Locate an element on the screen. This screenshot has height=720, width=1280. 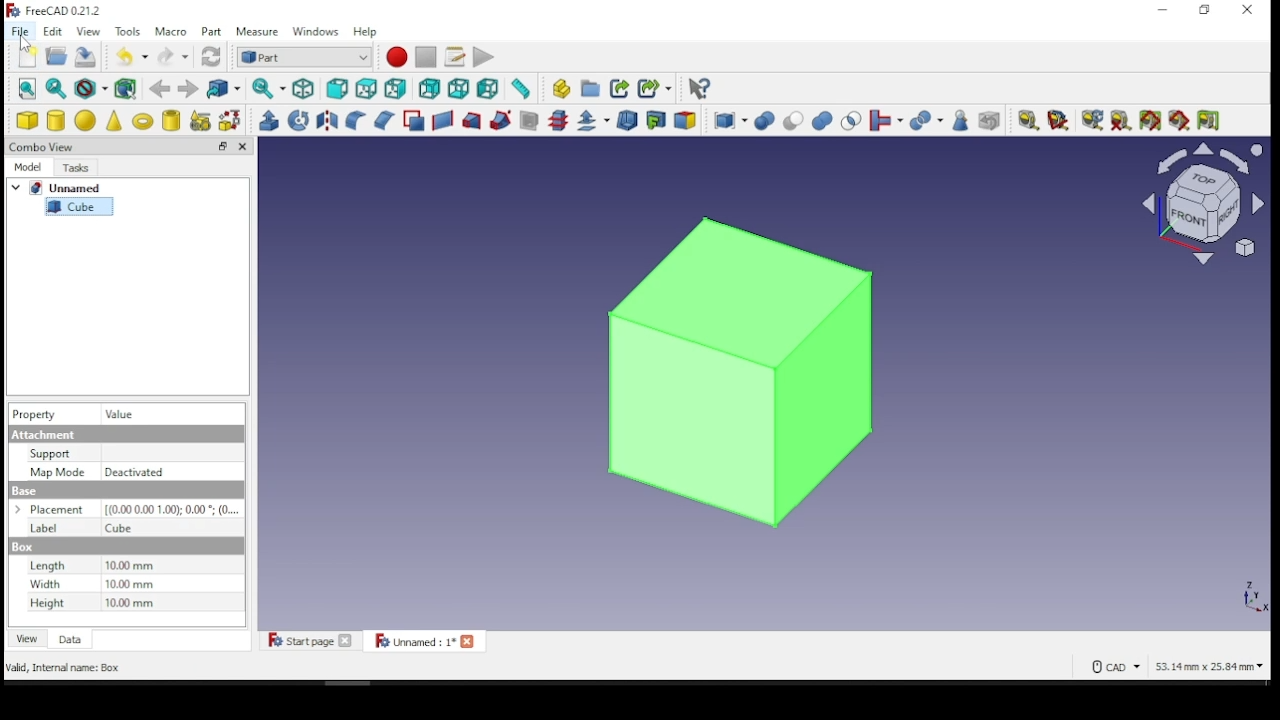
execute macro is located at coordinates (483, 57).